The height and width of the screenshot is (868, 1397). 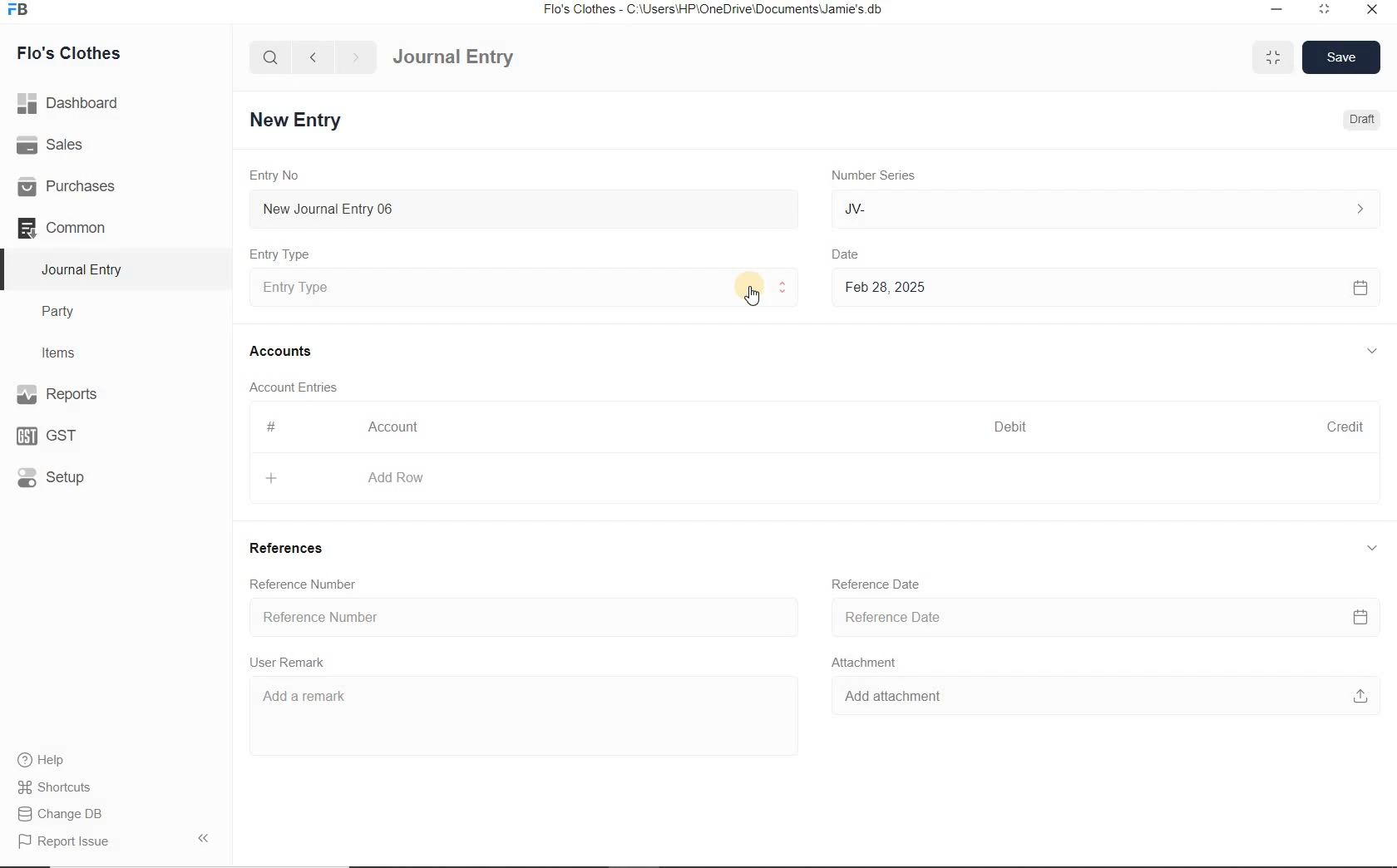 What do you see at coordinates (62, 812) in the screenshot?
I see `Change DB` at bounding box center [62, 812].